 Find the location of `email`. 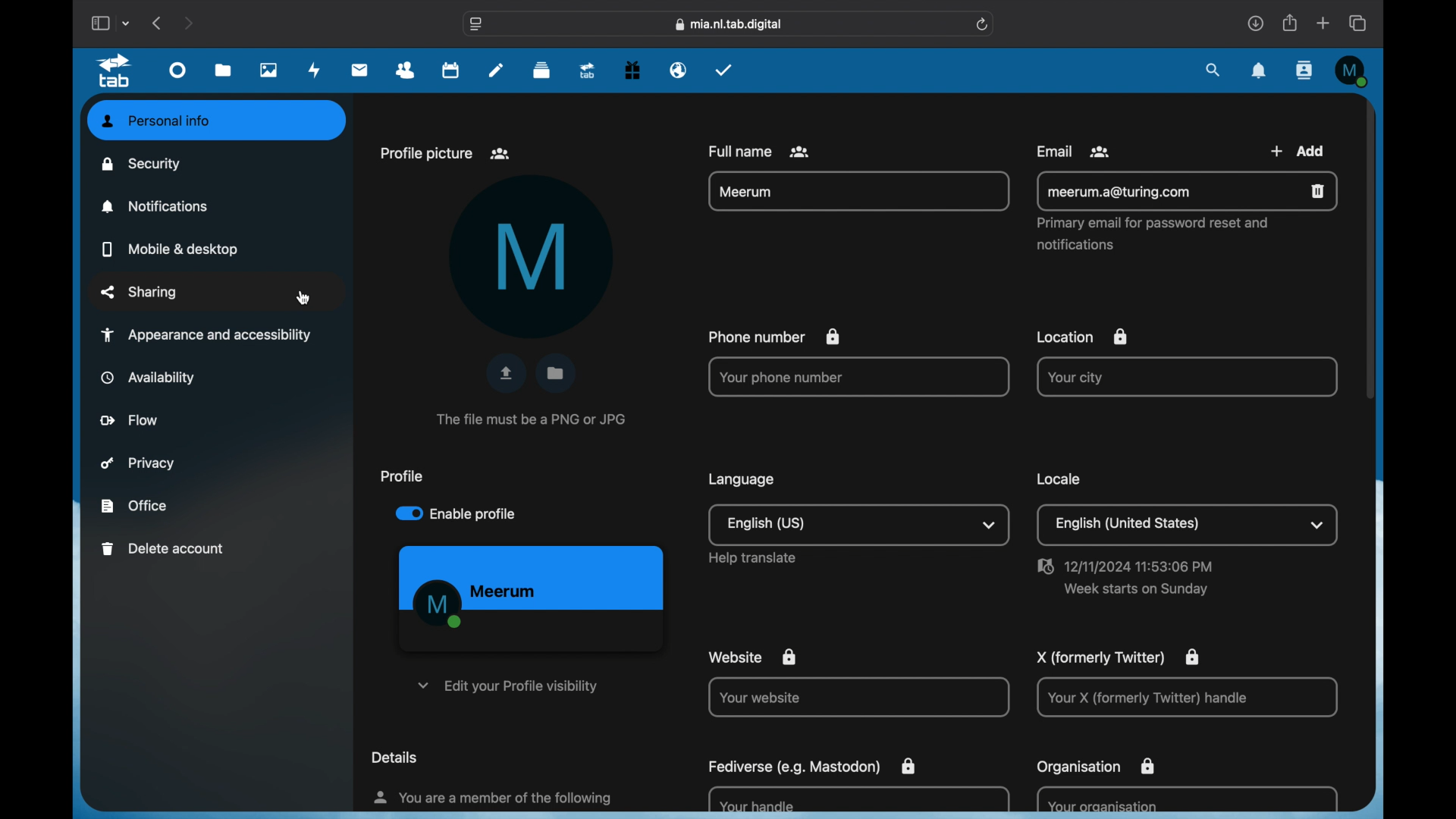

email is located at coordinates (1184, 153).